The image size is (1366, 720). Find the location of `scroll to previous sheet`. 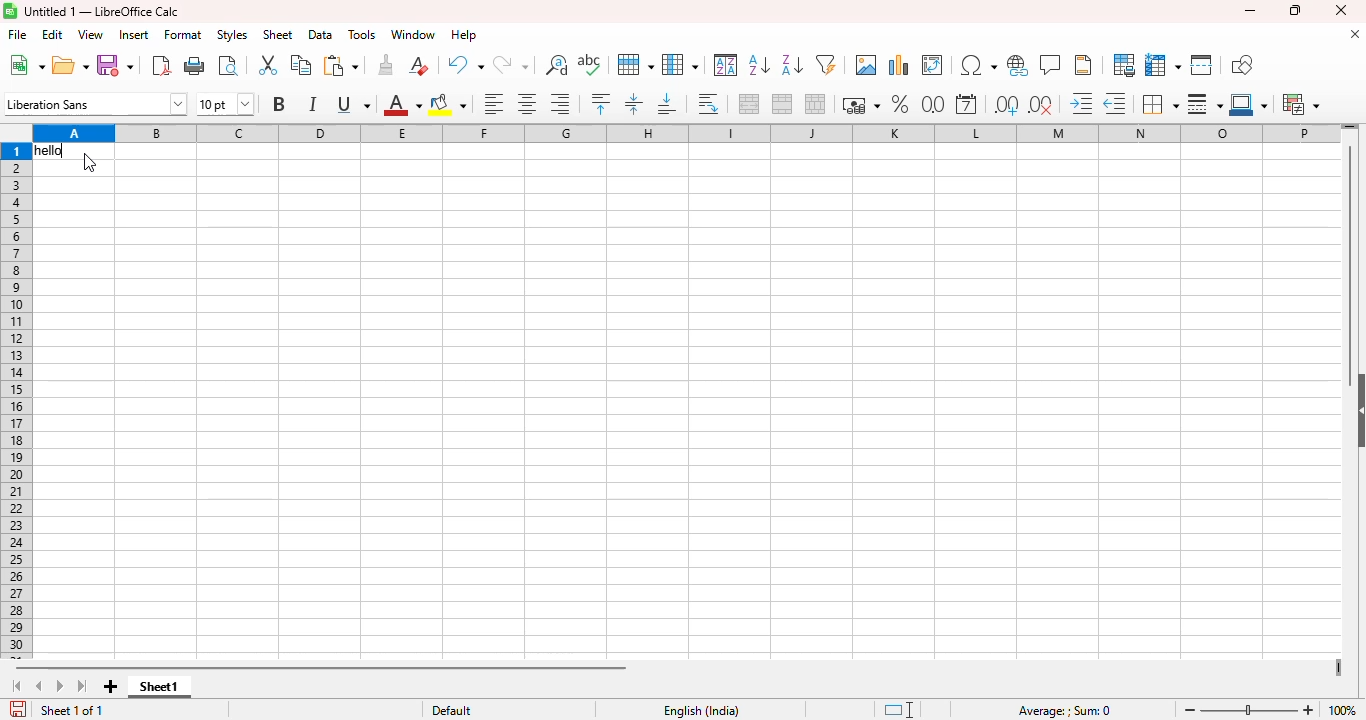

scroll to previous sheet is located at coordinates (39, 686).